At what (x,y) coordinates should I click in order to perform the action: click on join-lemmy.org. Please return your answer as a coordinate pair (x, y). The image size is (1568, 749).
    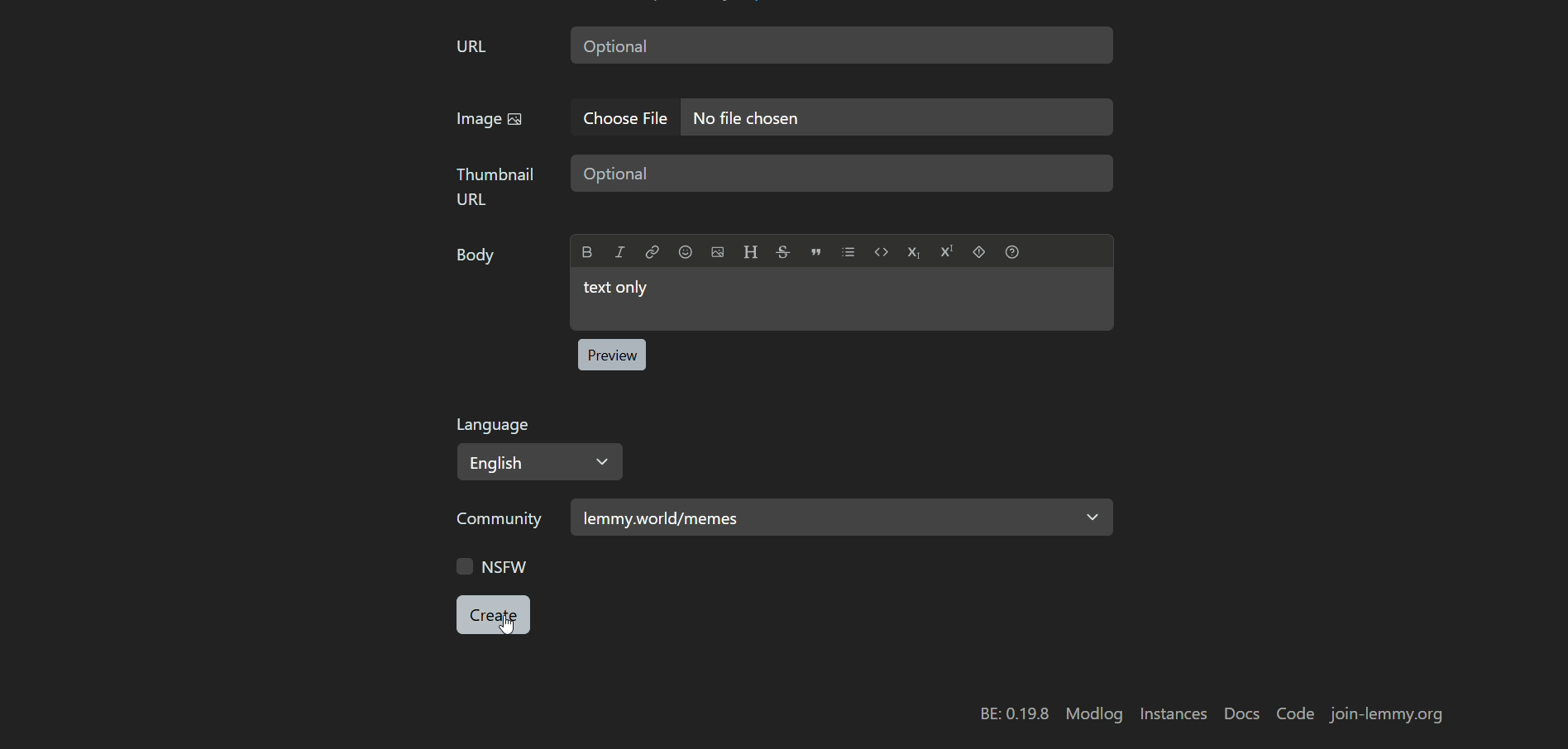
    Looking at the image, I should click on (1386, 714).